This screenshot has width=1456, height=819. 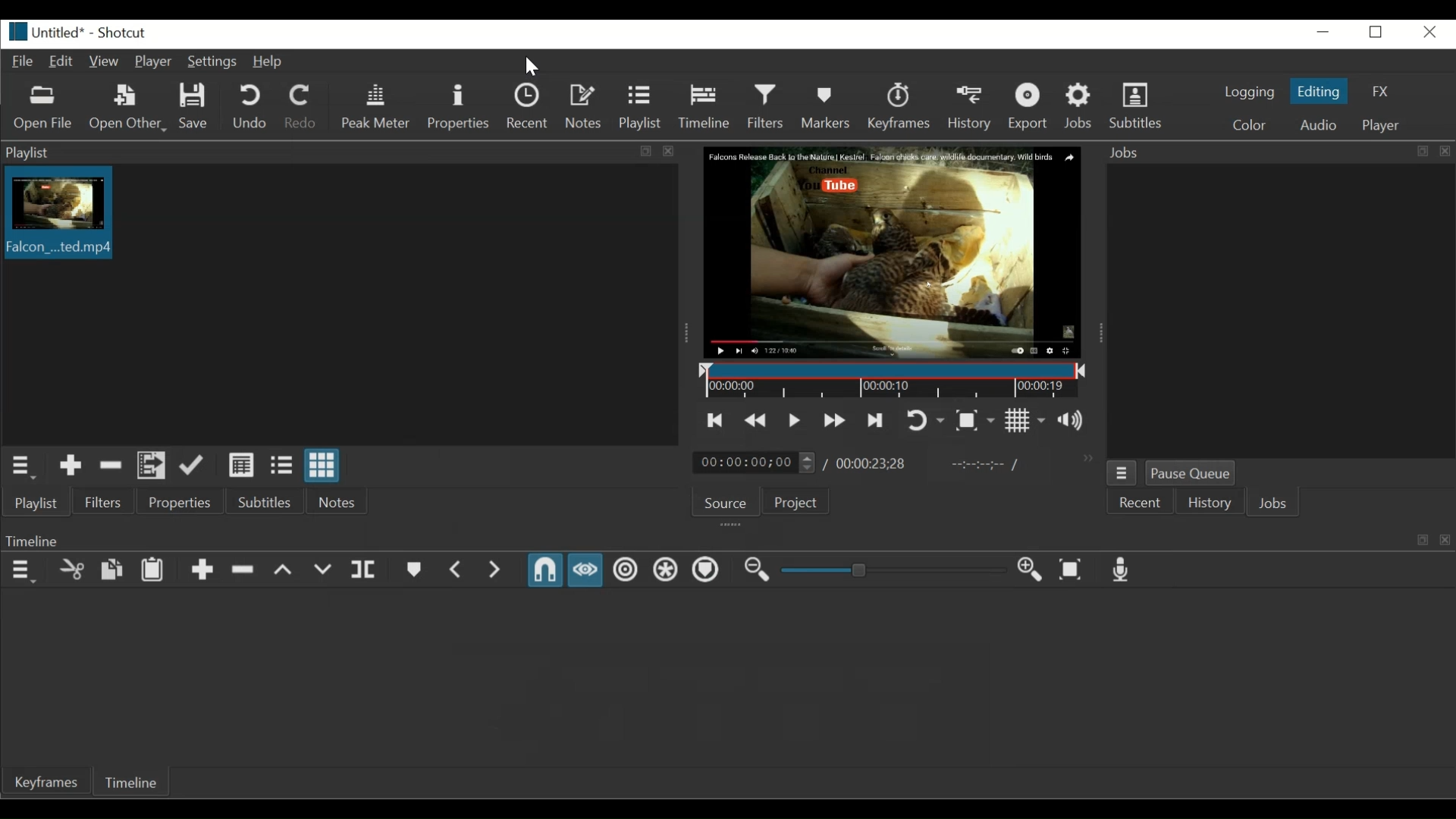 What do you see at coordinates (758, 570) in the screenshot?
I see `Zoom timeline out` at bounding box center [758, 570].